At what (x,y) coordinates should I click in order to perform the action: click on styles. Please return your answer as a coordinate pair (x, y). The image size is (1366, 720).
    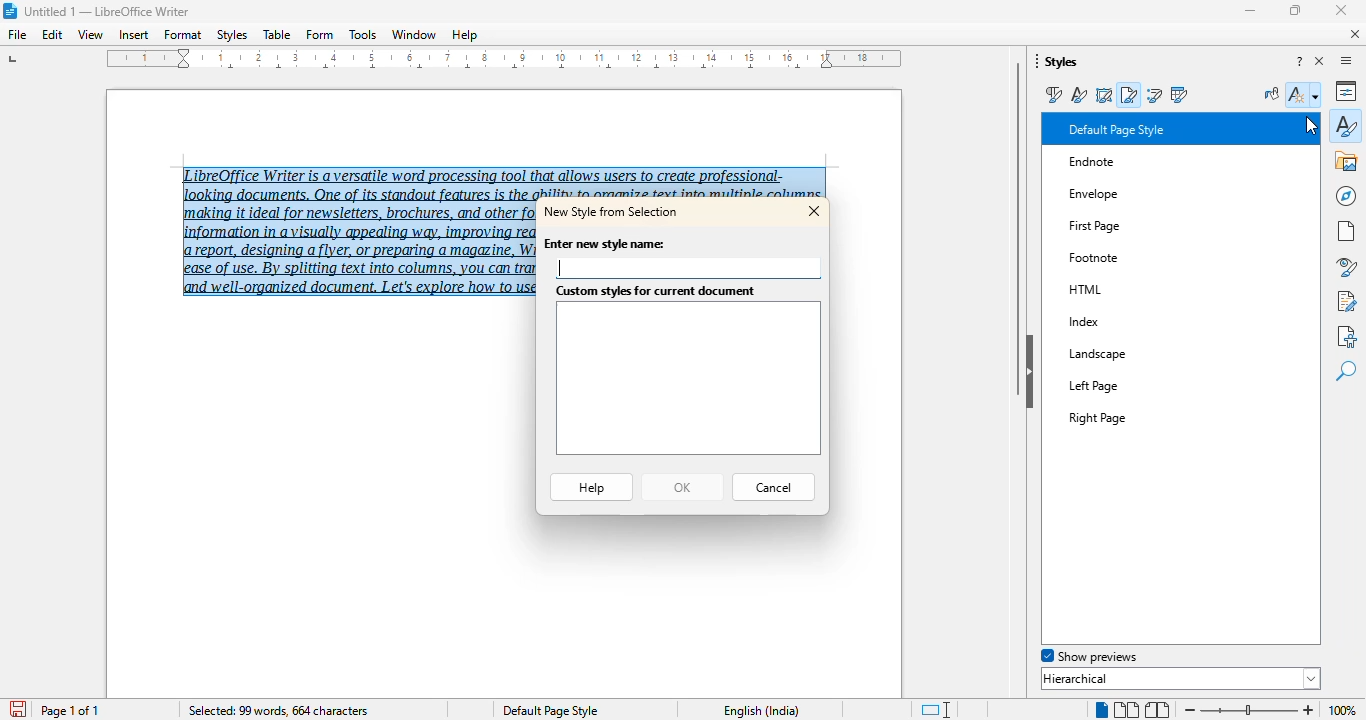
    Looking at the image, I should click on (232, 35).